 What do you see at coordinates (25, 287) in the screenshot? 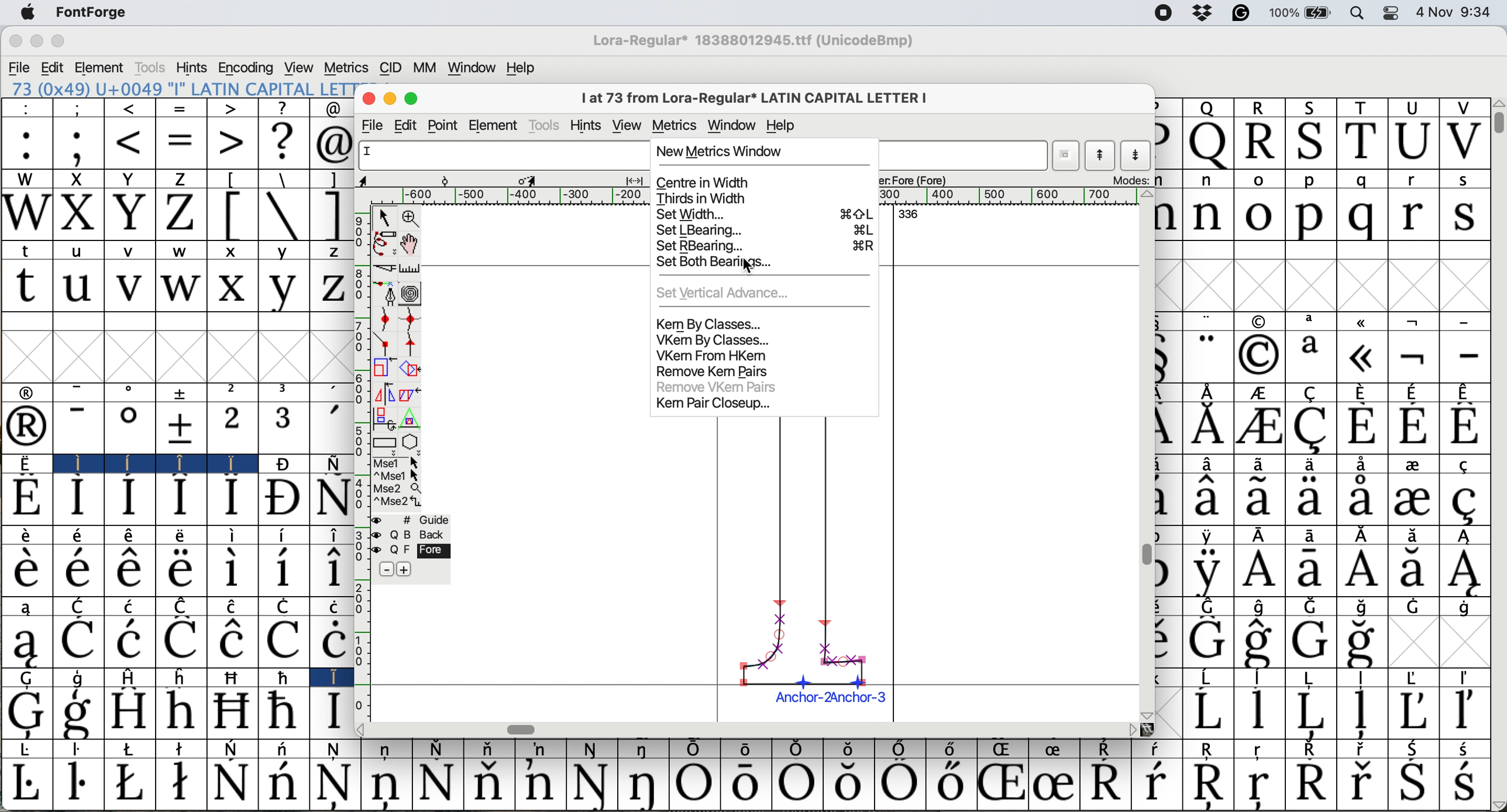
I see `t` at bounding box center [25, 287].